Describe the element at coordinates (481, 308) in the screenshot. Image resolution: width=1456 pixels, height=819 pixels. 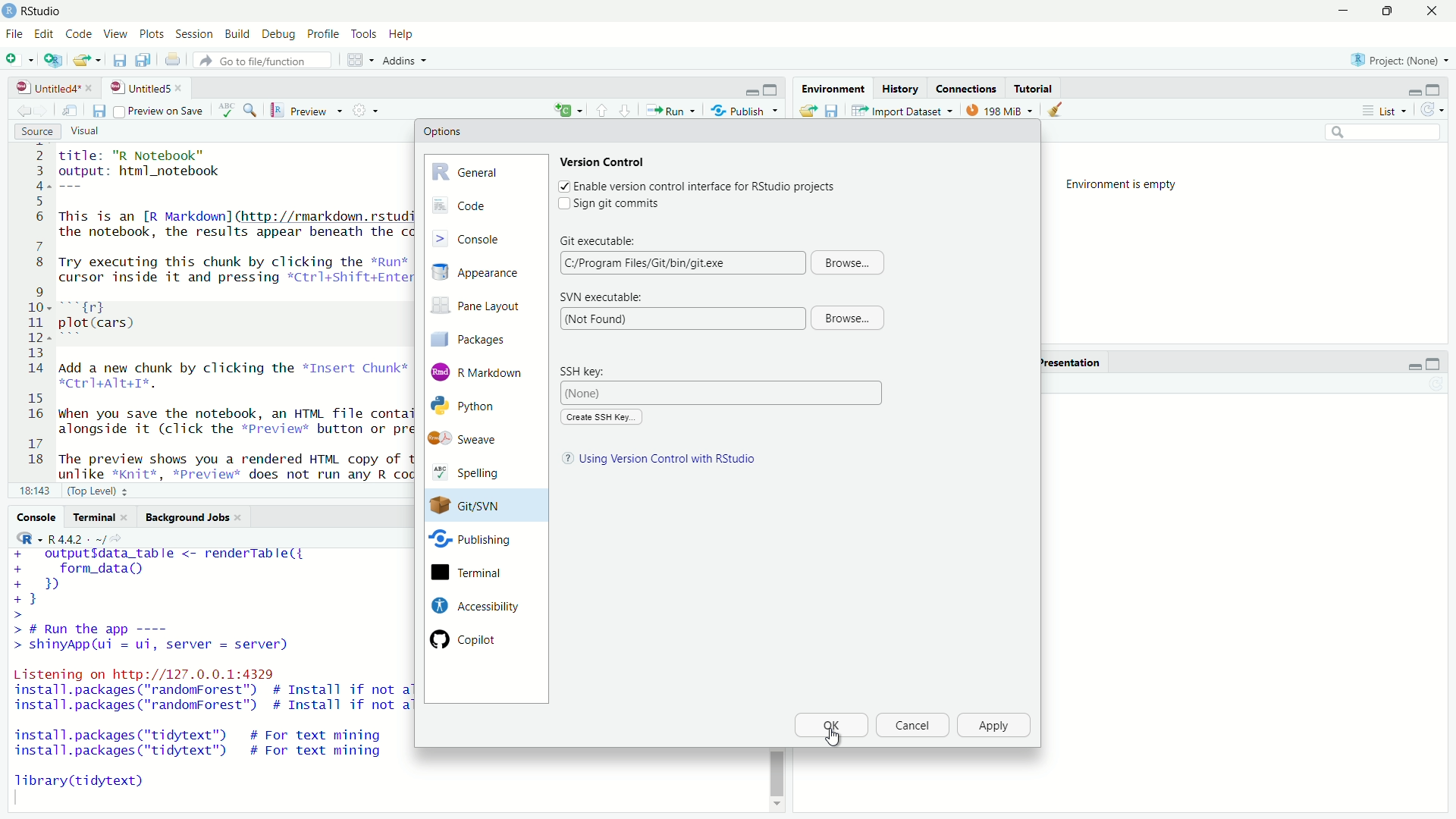
I see `Pane Layout` at that location.